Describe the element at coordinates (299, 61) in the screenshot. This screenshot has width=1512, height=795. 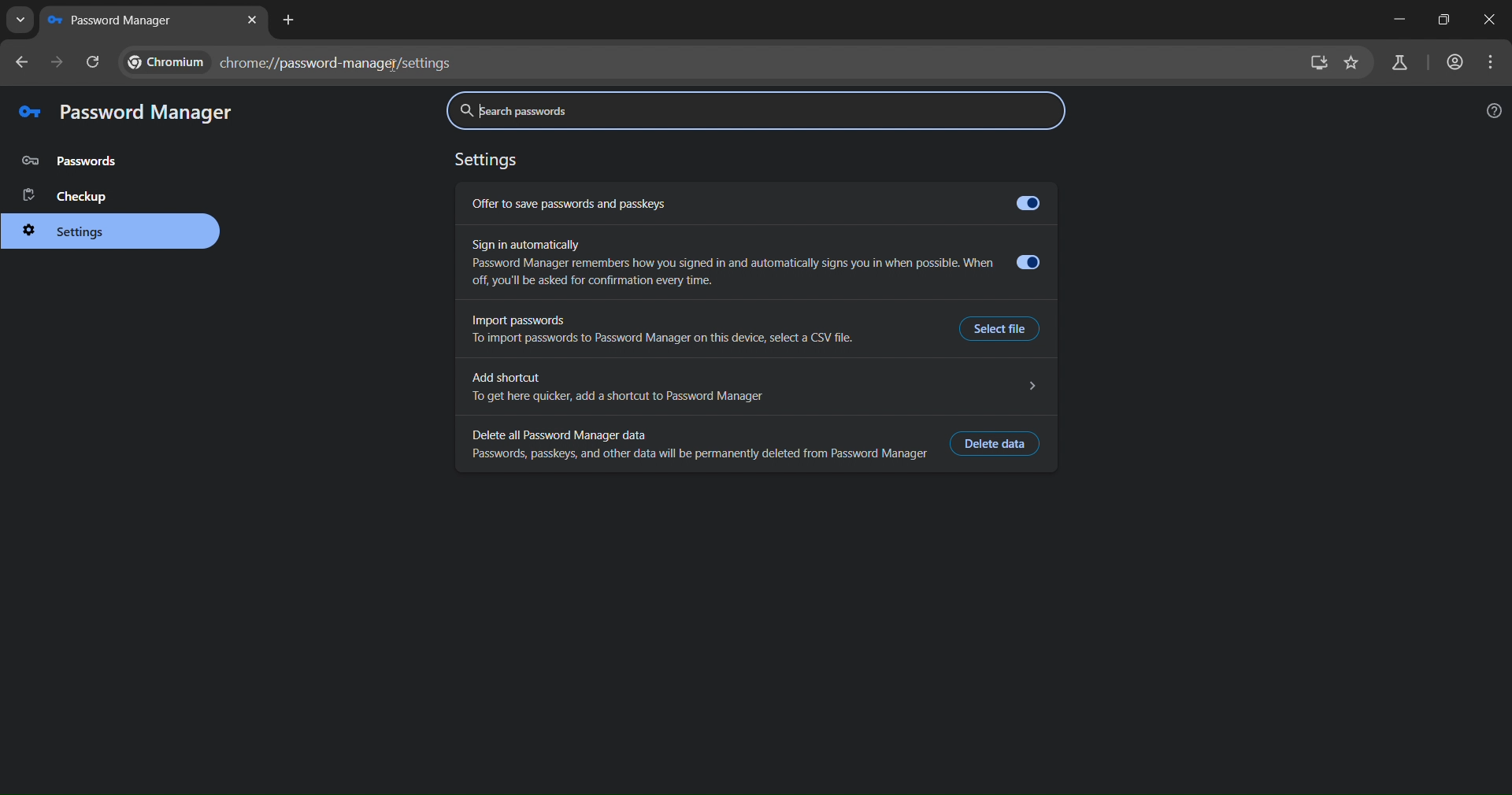
I see `chrome://password-manager/settings` at that location.